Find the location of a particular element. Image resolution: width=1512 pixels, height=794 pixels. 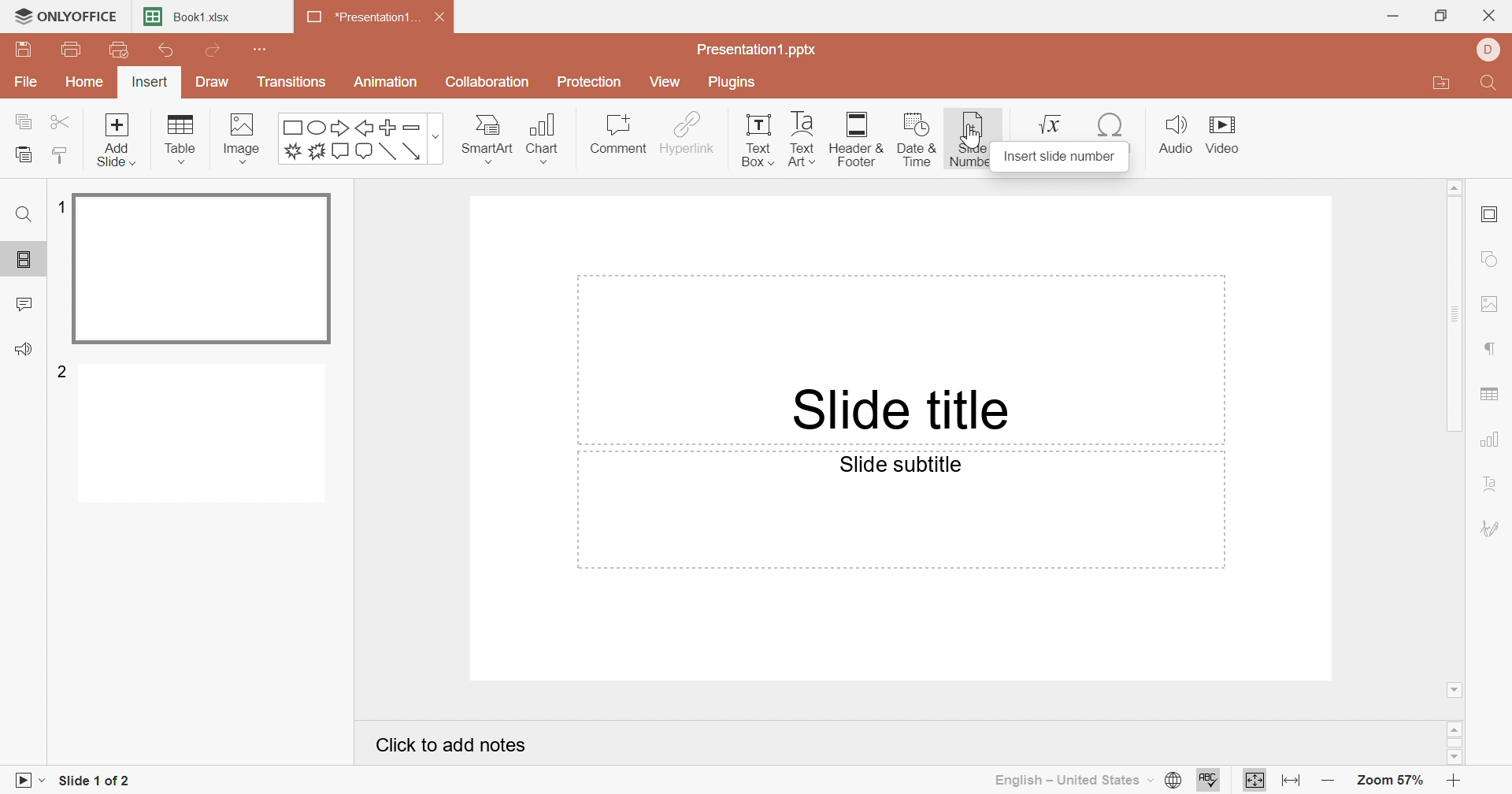

Find is located at coordinates (22, 214).